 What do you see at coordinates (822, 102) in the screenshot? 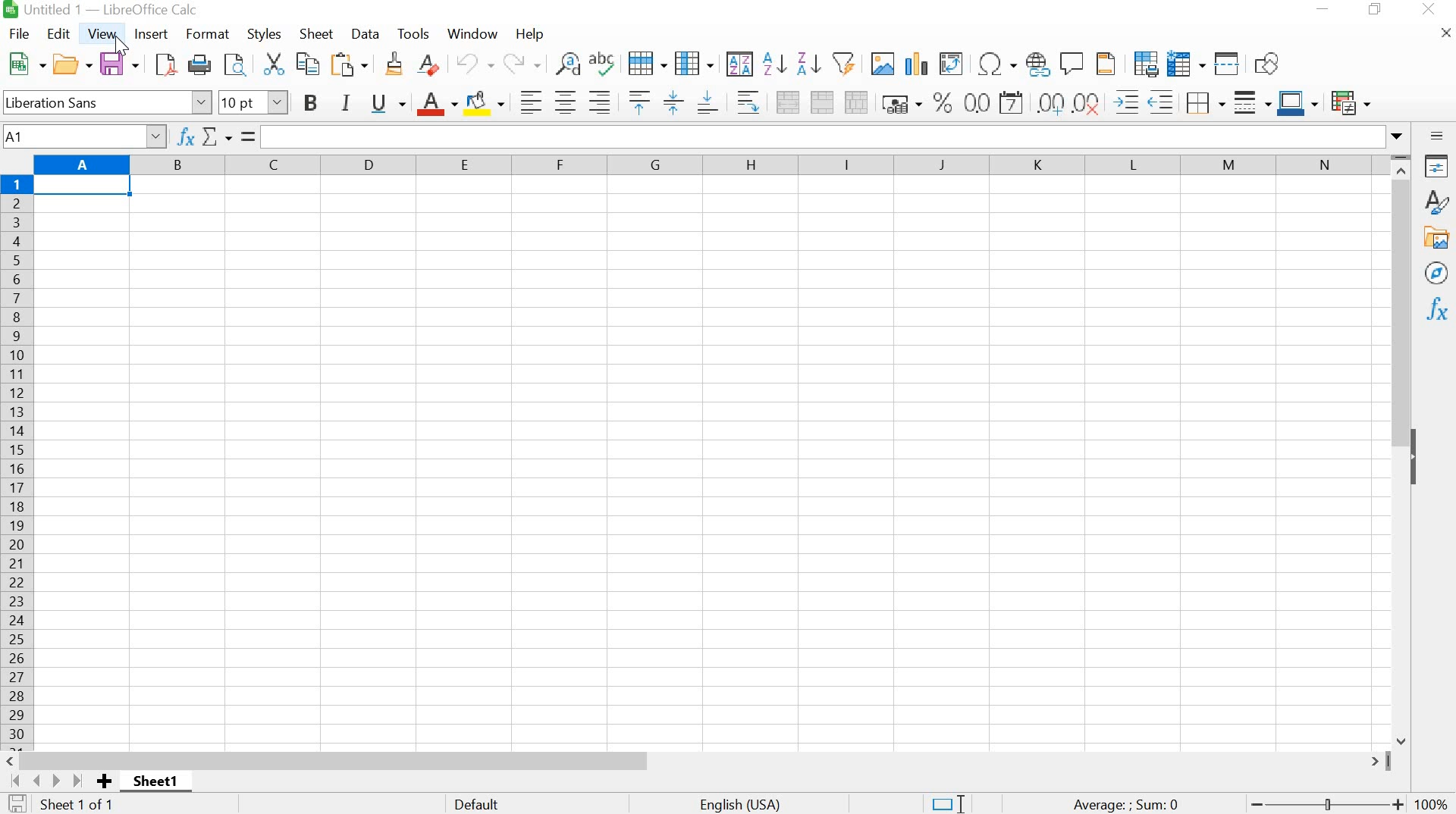
I see `MERGE OR UNMERGE CELLS` at bounding box center [822, 102].